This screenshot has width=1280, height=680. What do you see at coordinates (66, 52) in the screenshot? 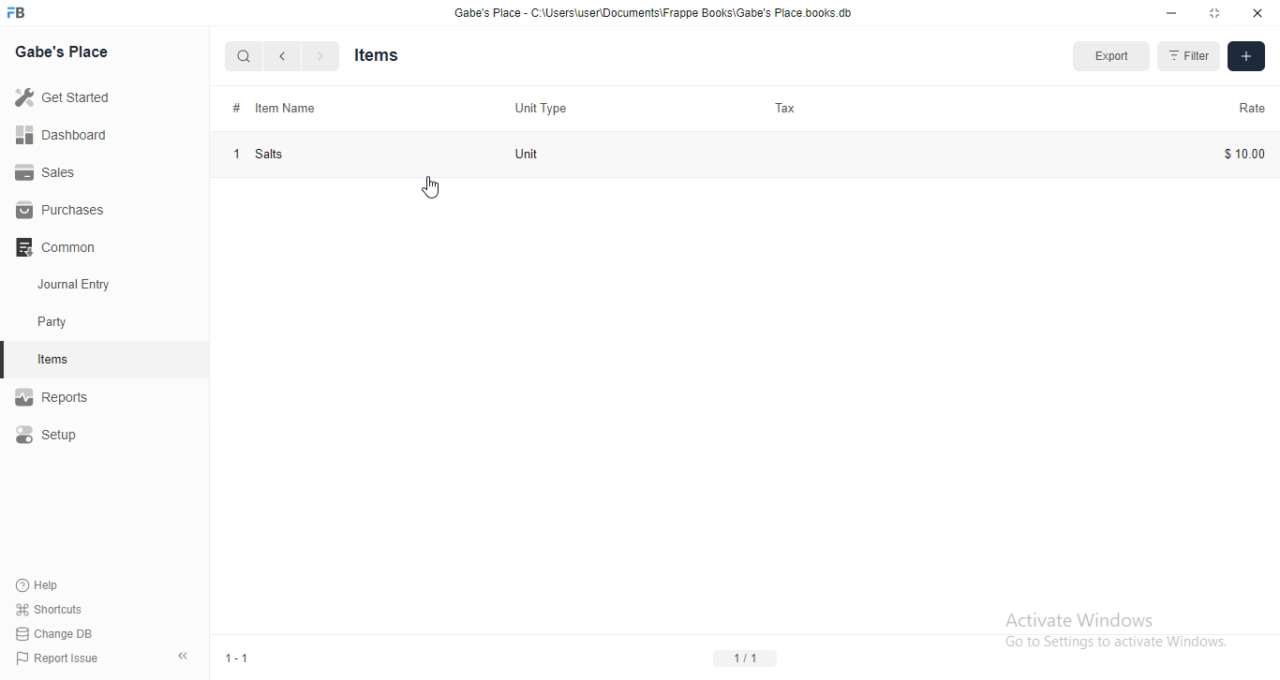
I see `Gabe's Place` at bounding box center [66, 52].